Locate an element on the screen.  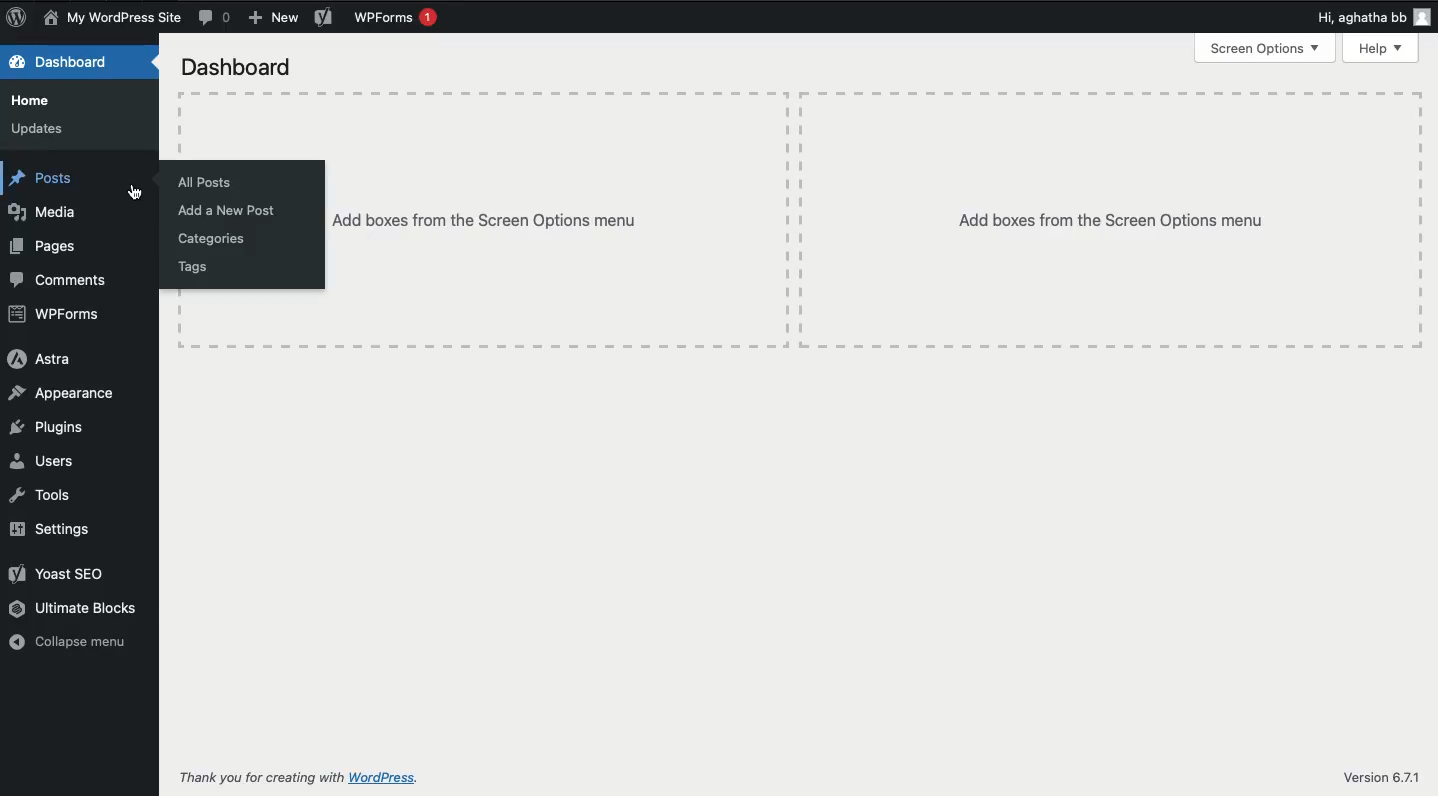
Screen options is located at coordinates (1264, 48).